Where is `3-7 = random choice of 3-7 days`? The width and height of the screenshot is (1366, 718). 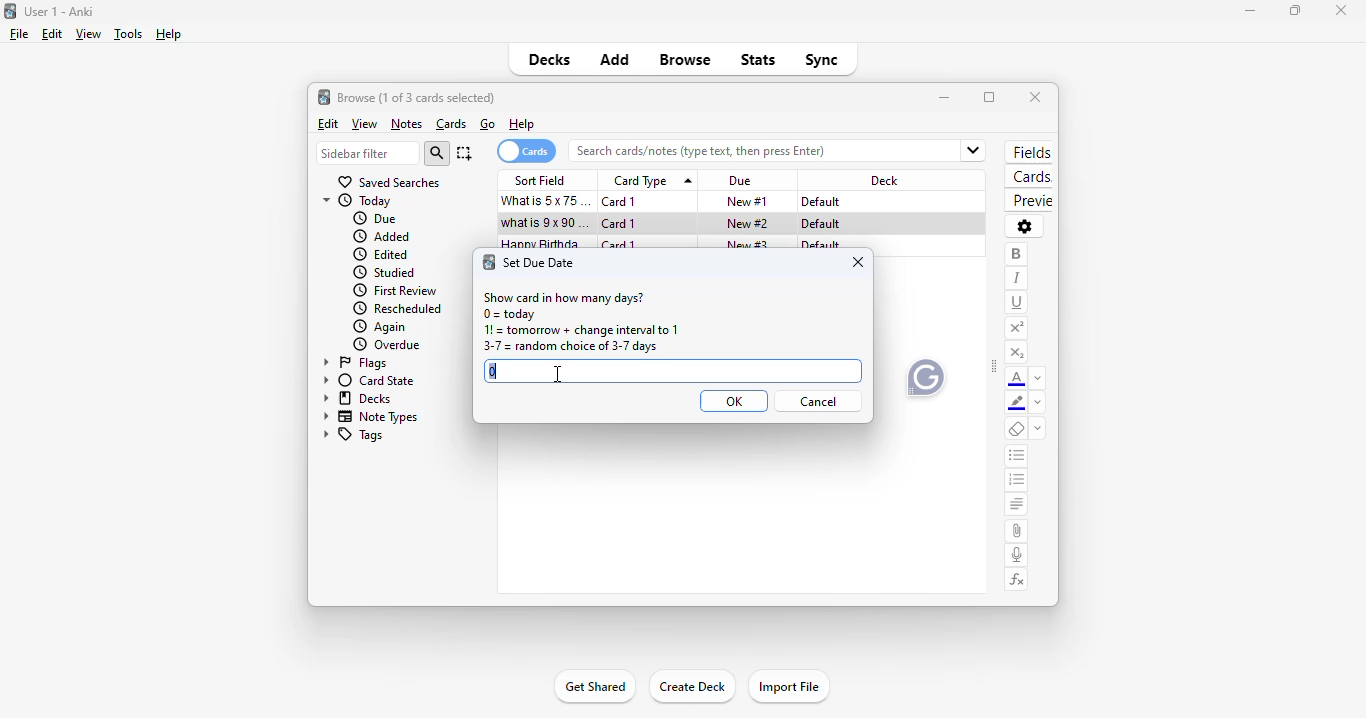
3-7 = random choice of 3-7 days is located at coordinates (570, 348).